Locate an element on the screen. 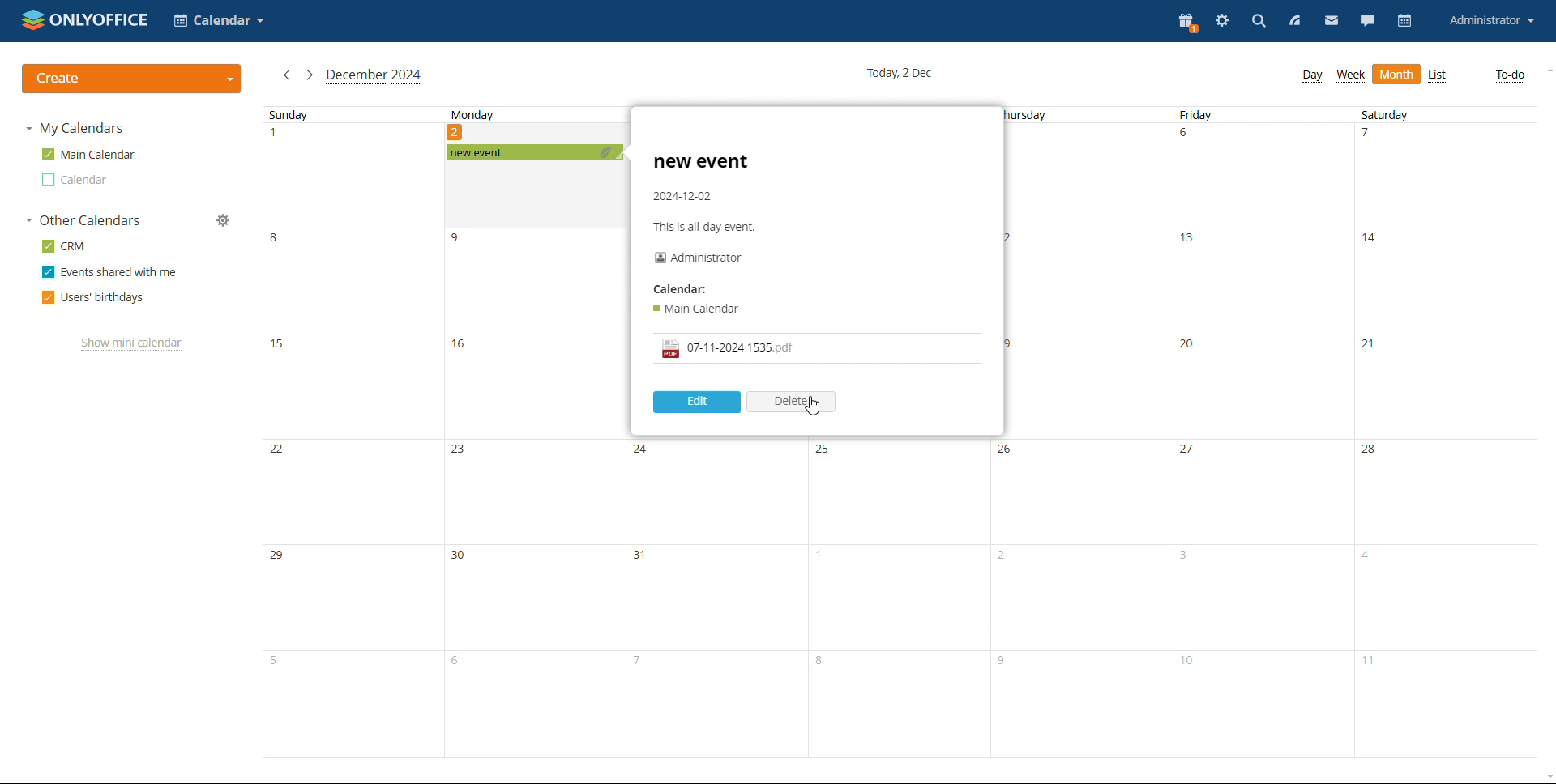 Image resolution: width=1556 pixels, height=784 pixels. 29 is located at coordinates (280, 557).